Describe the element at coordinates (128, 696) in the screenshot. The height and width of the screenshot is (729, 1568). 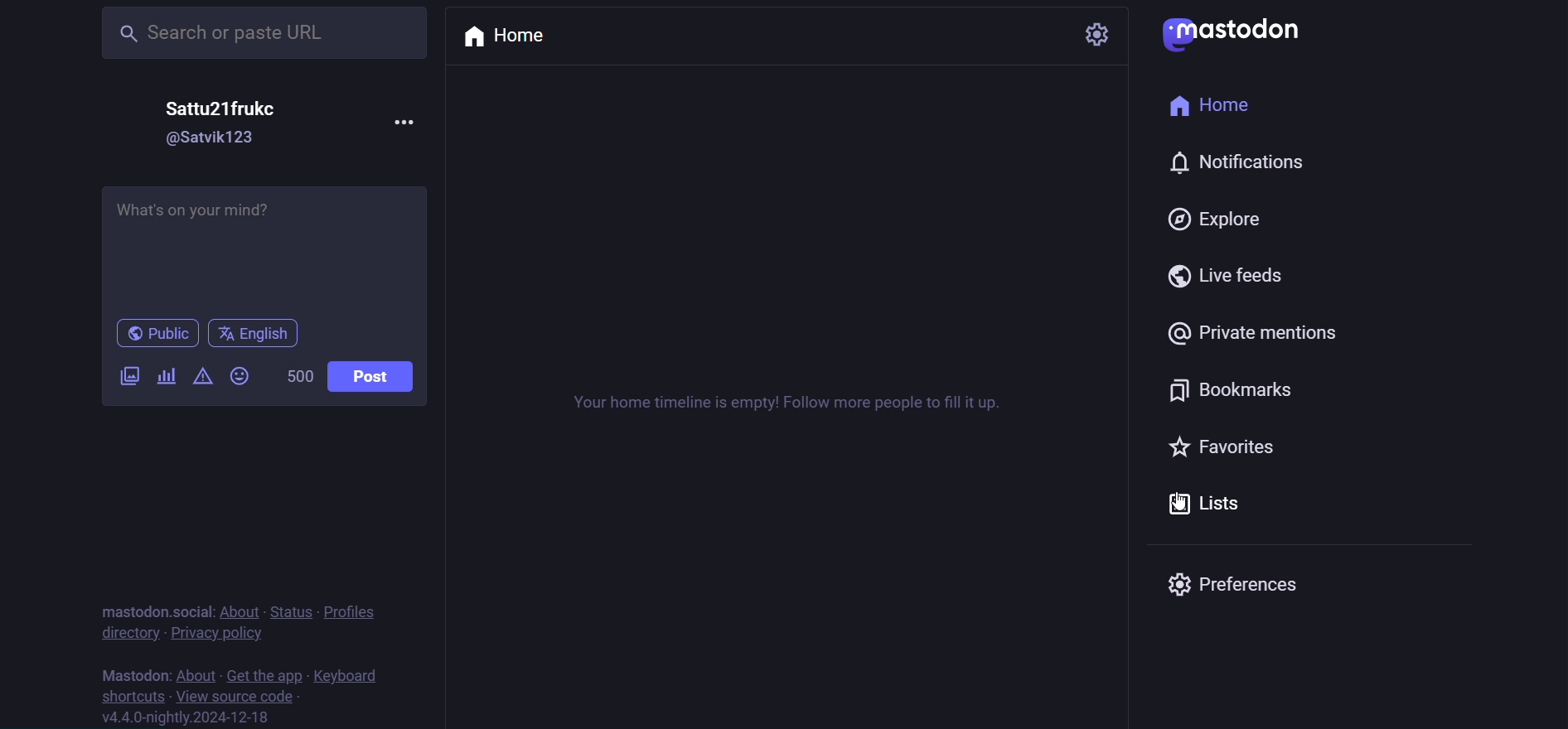
I see `shortcut` at that location.